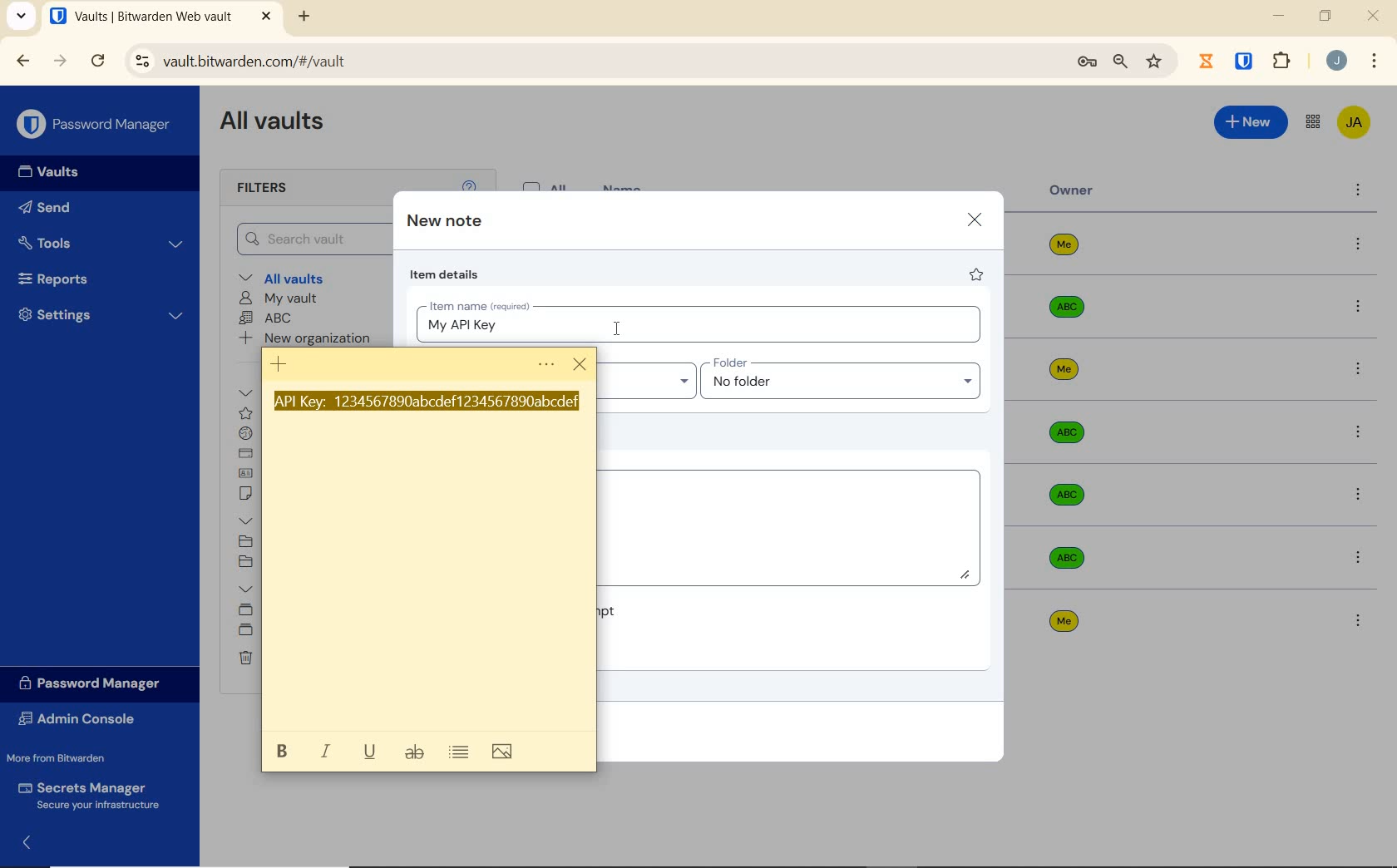 This screenshot has height=868, width=1397. Describe the element at coordinates (794, 525) in the screenshot. I see `Add Notes` at that location.